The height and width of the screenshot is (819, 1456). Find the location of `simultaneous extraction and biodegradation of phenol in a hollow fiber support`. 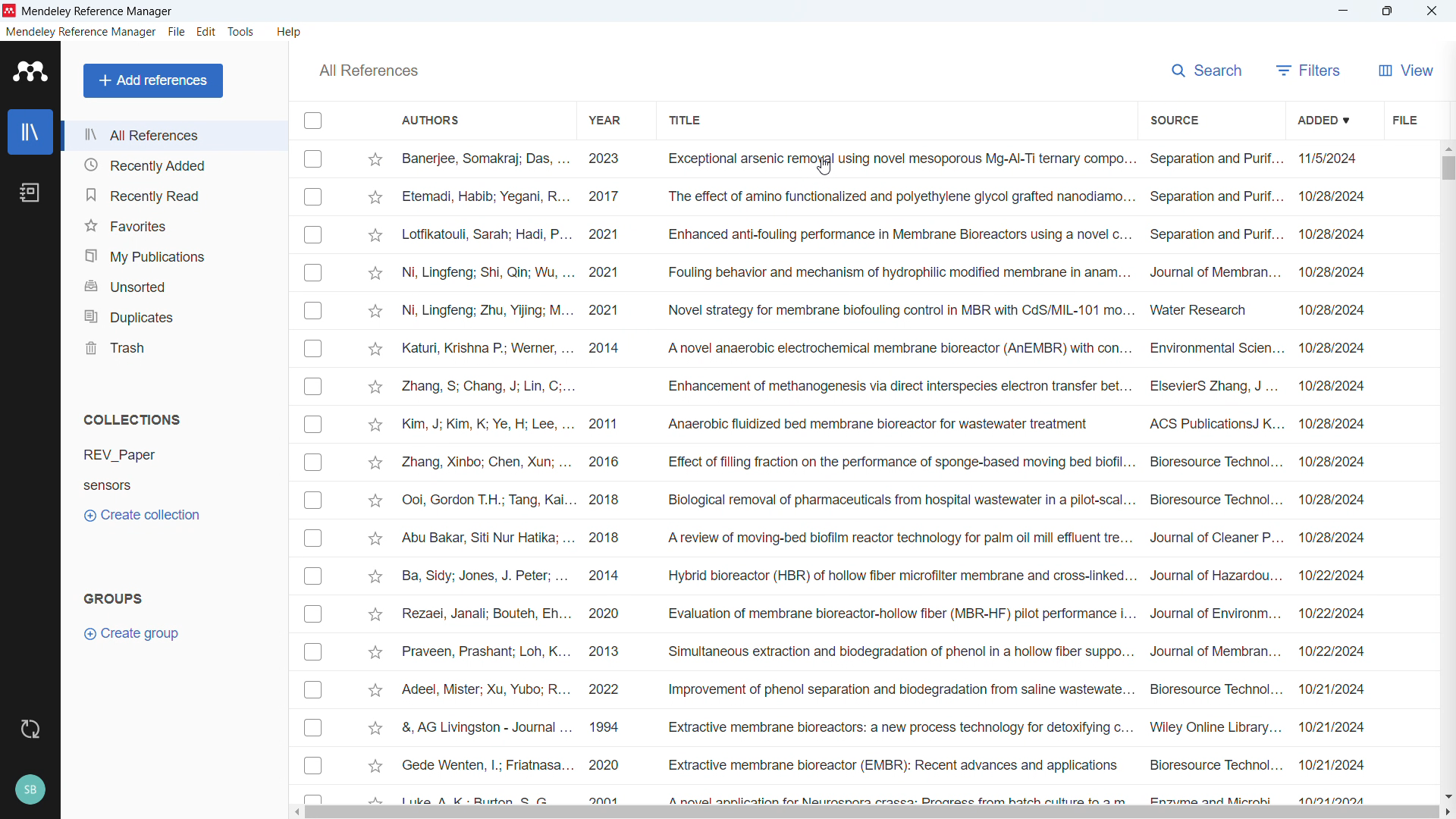

simultaneous extraction and biodegradation of phenol in a hollow fiber support is located at coordinates (902, 651).